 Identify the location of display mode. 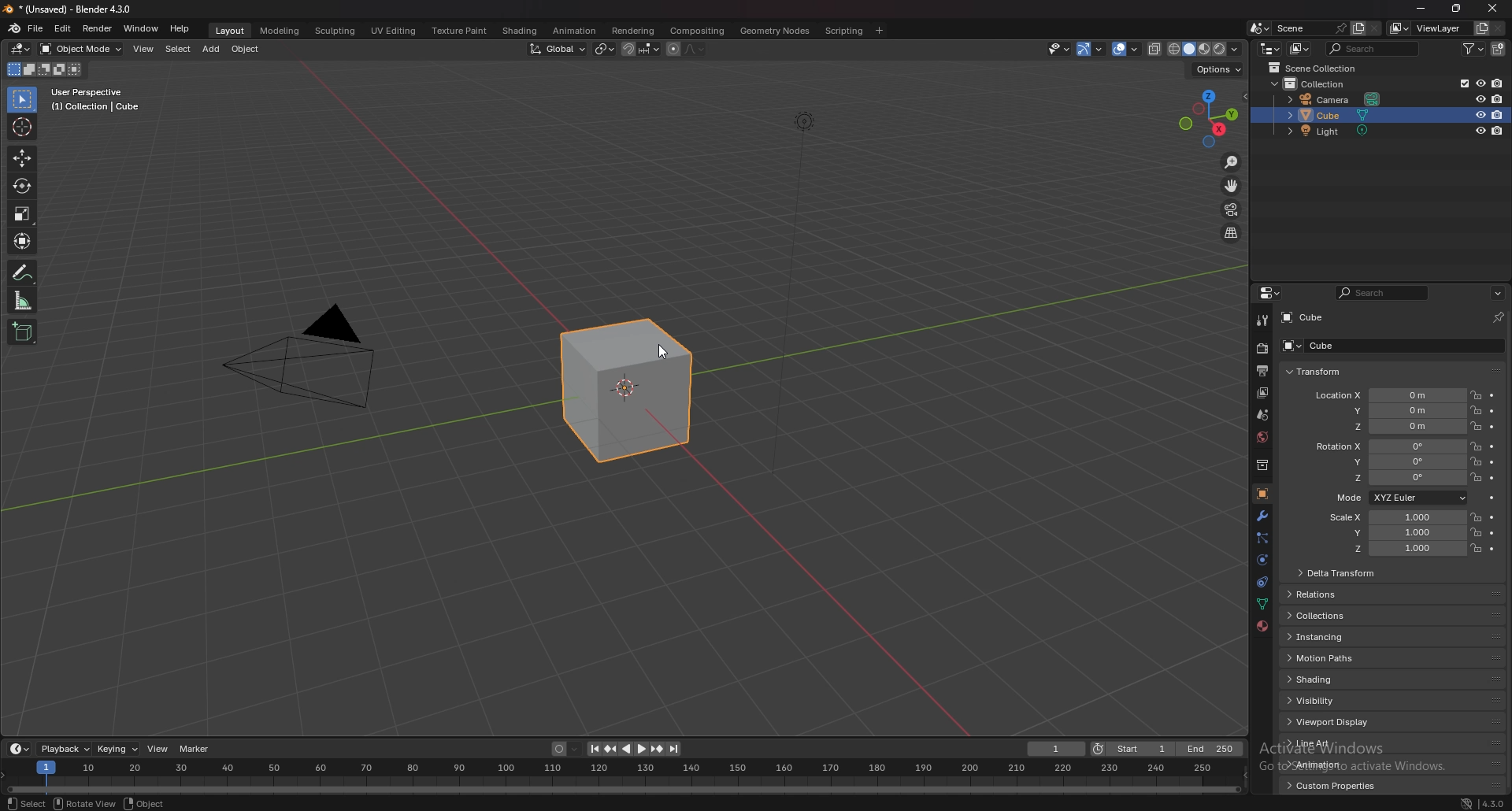
(1300, 49).